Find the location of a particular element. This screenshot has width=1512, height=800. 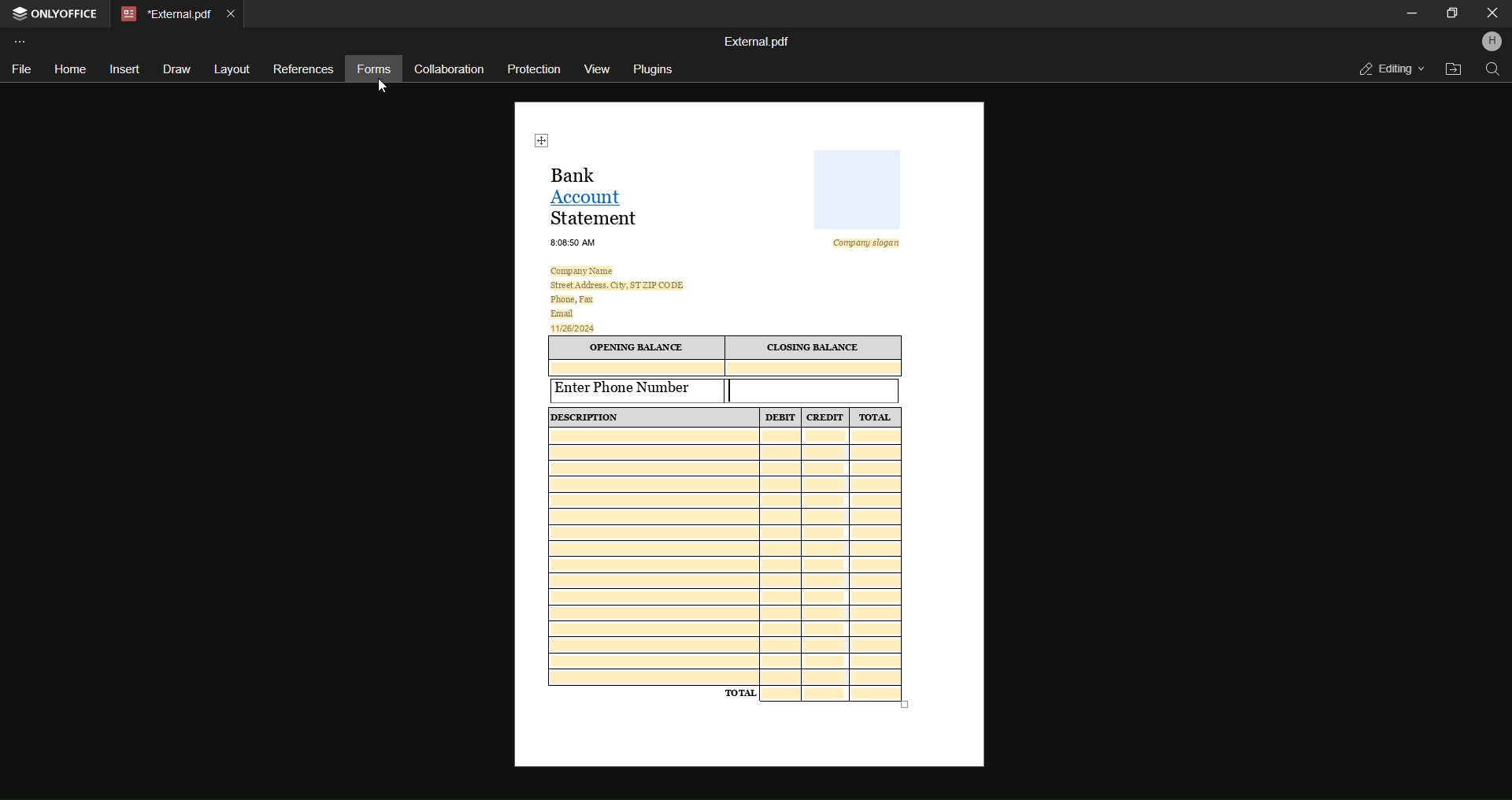

layout is located at coordinates (231, 69).